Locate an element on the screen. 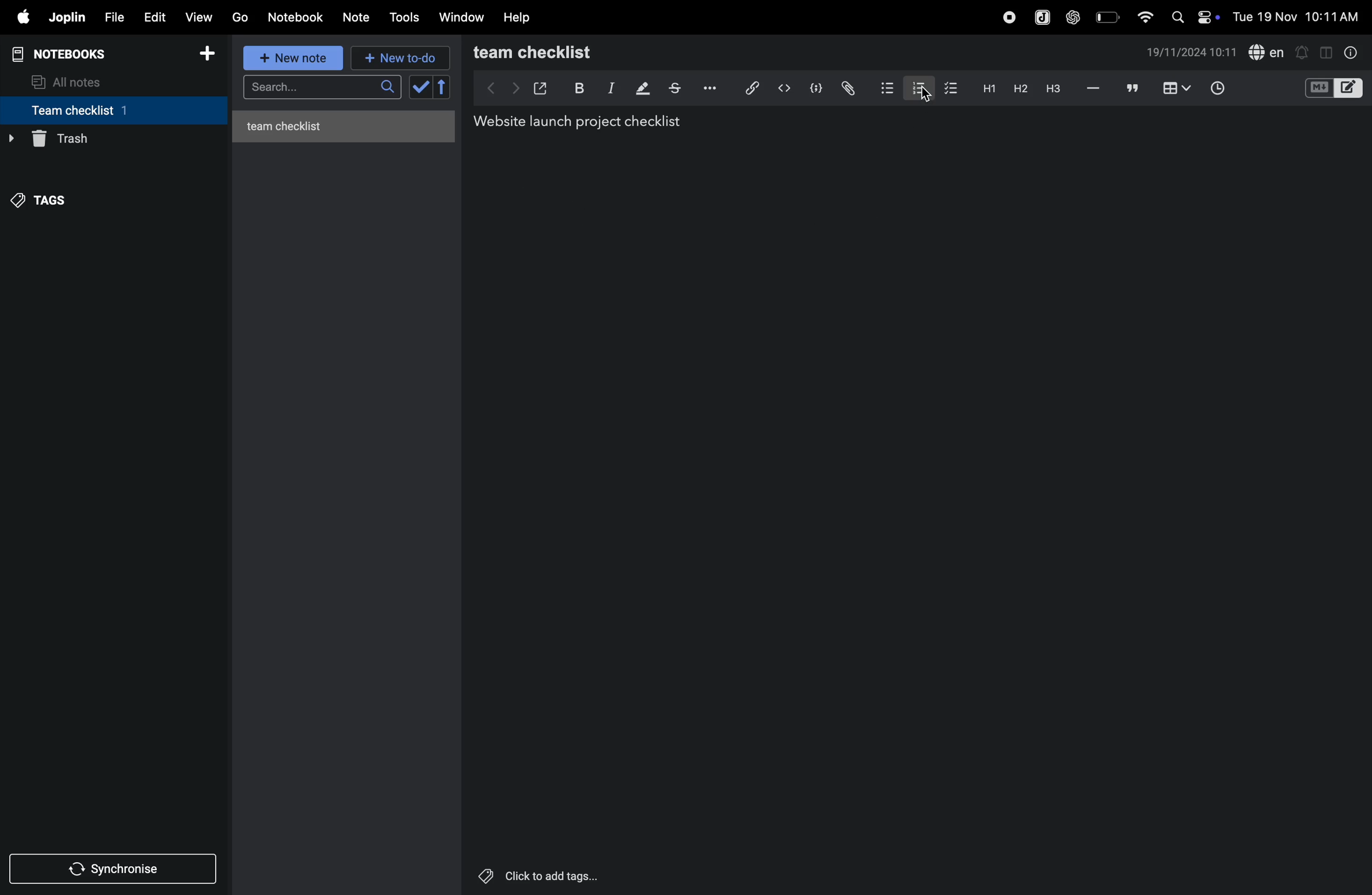 This screenshot has height=895, width=1372. untitled is located at coordinates (348, 123).